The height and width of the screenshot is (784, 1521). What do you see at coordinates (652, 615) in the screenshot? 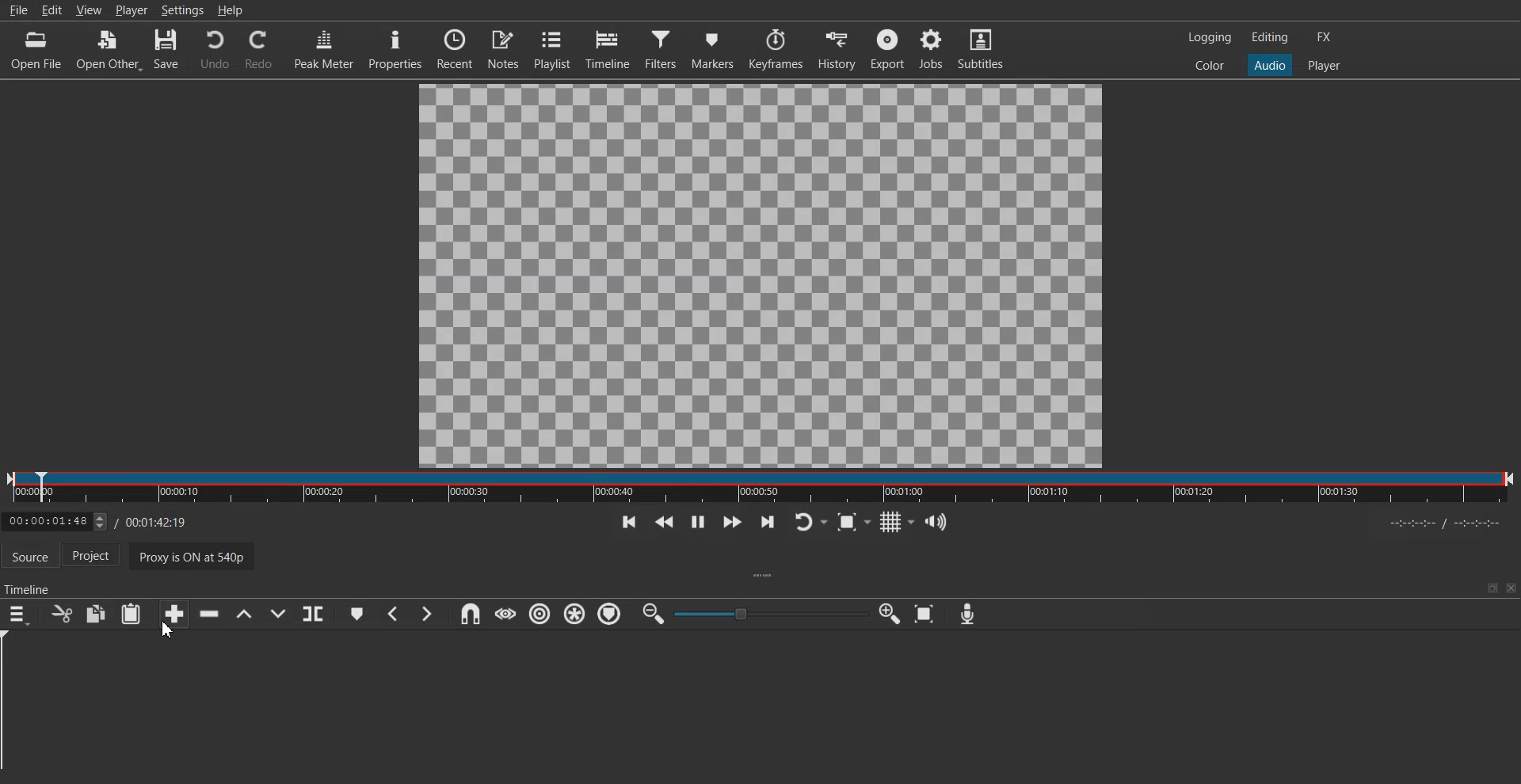
I see `Zoom time line out` at bounding box center [652, 615].